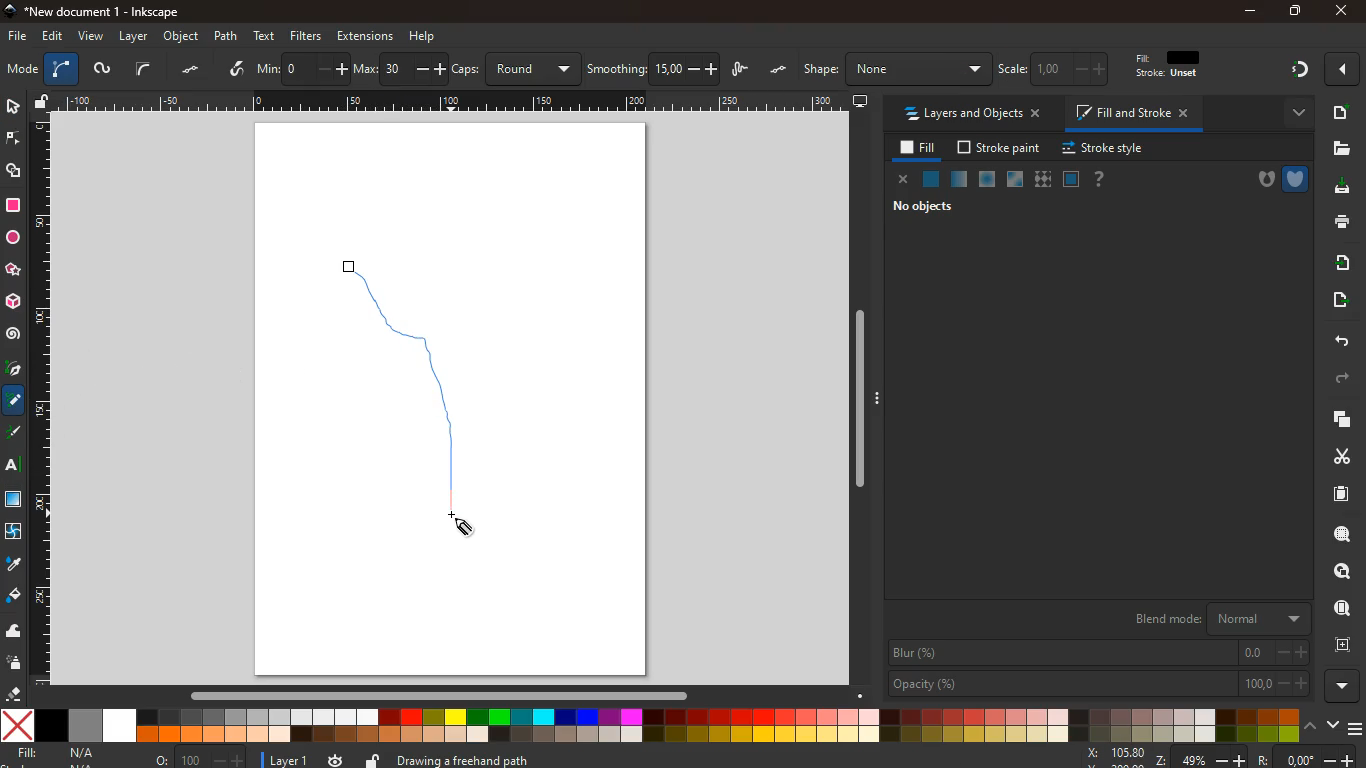  Describe the element at coordinates (14, 694) in the screenshot. I see `erase` at that location.